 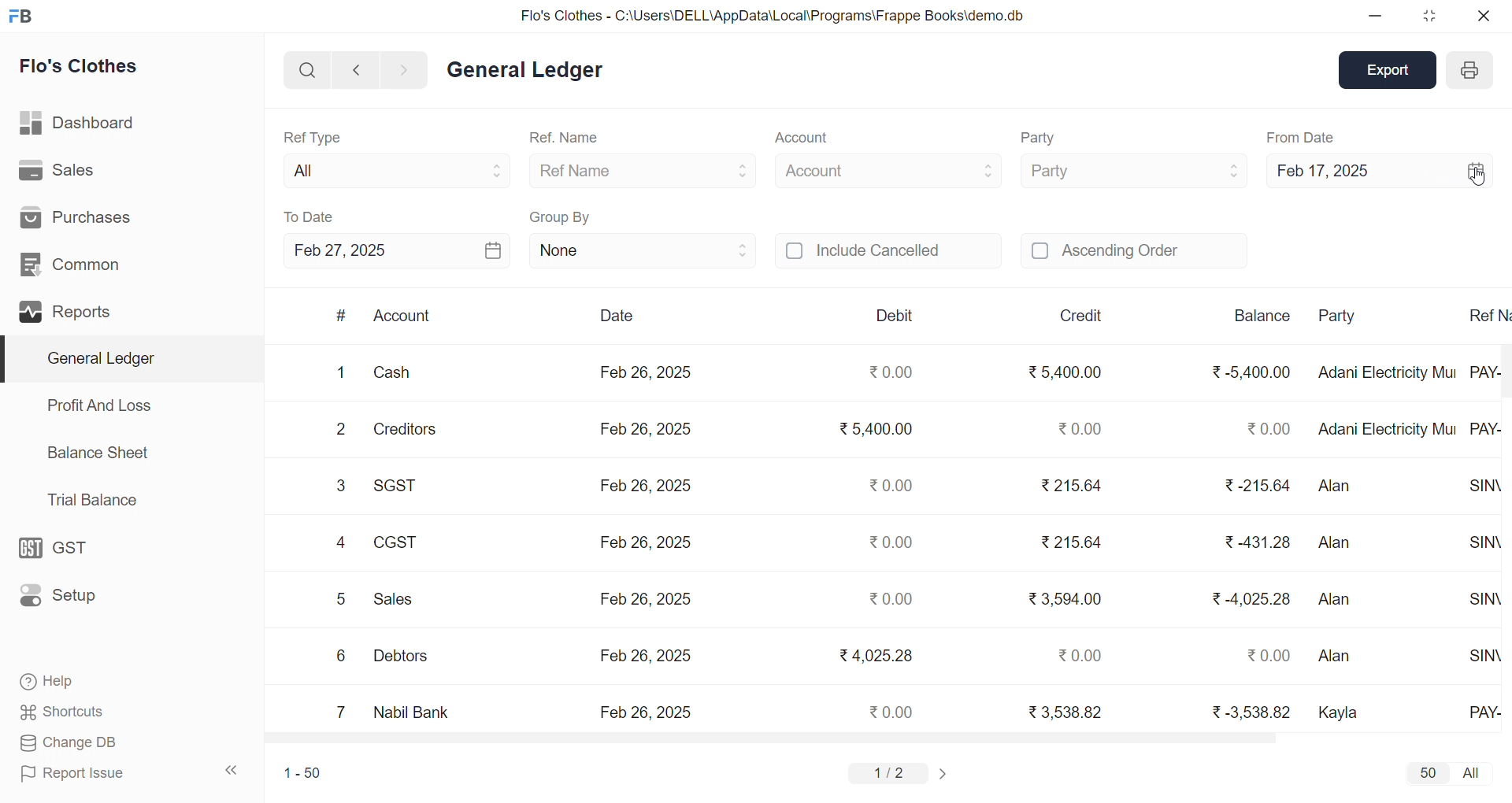 I want to click on Balance, so click(x=1262, y=316).